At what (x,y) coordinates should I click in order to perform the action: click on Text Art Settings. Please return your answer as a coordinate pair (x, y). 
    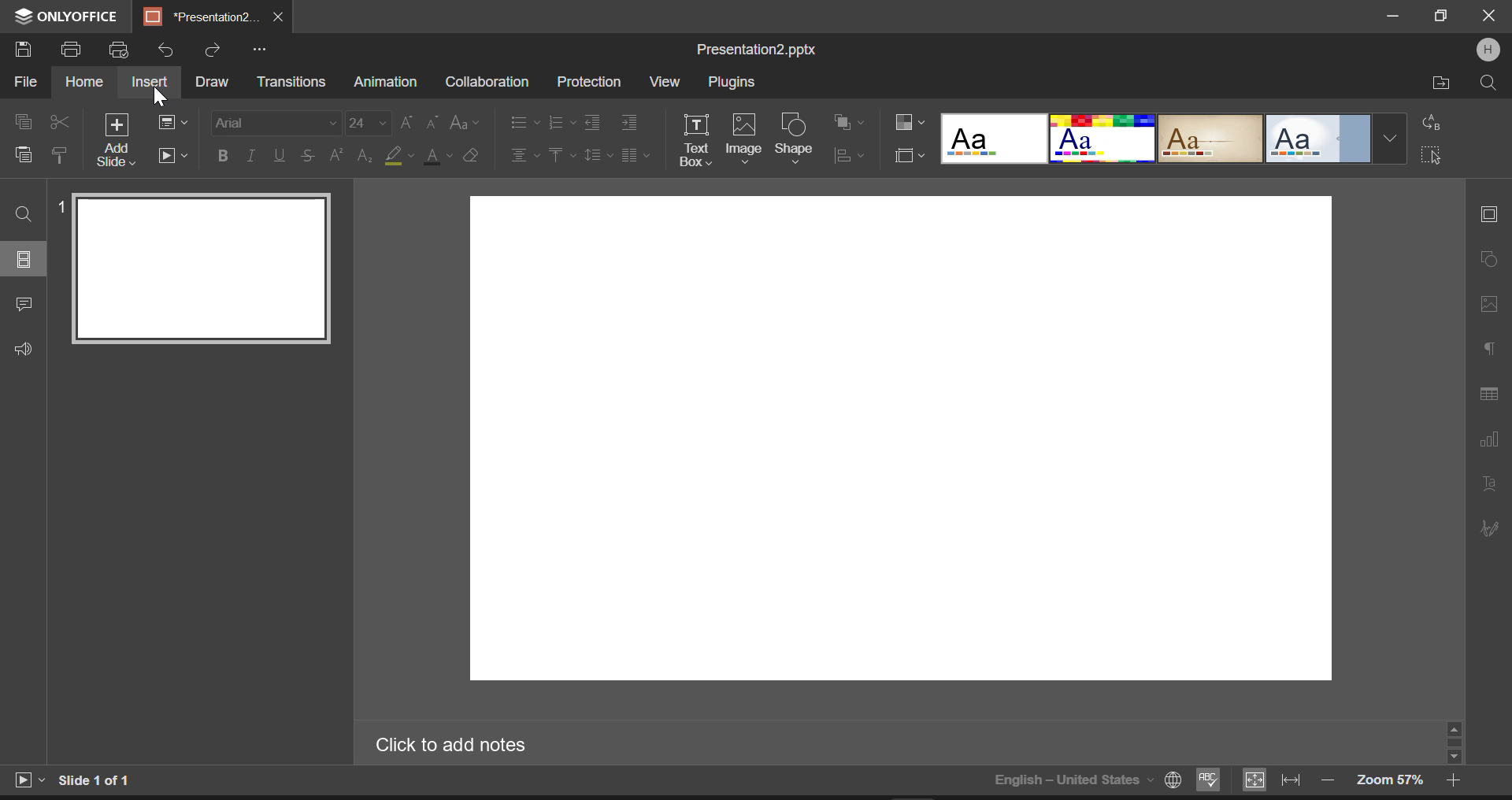
    Looking at the image, I should click on (1488, 486).